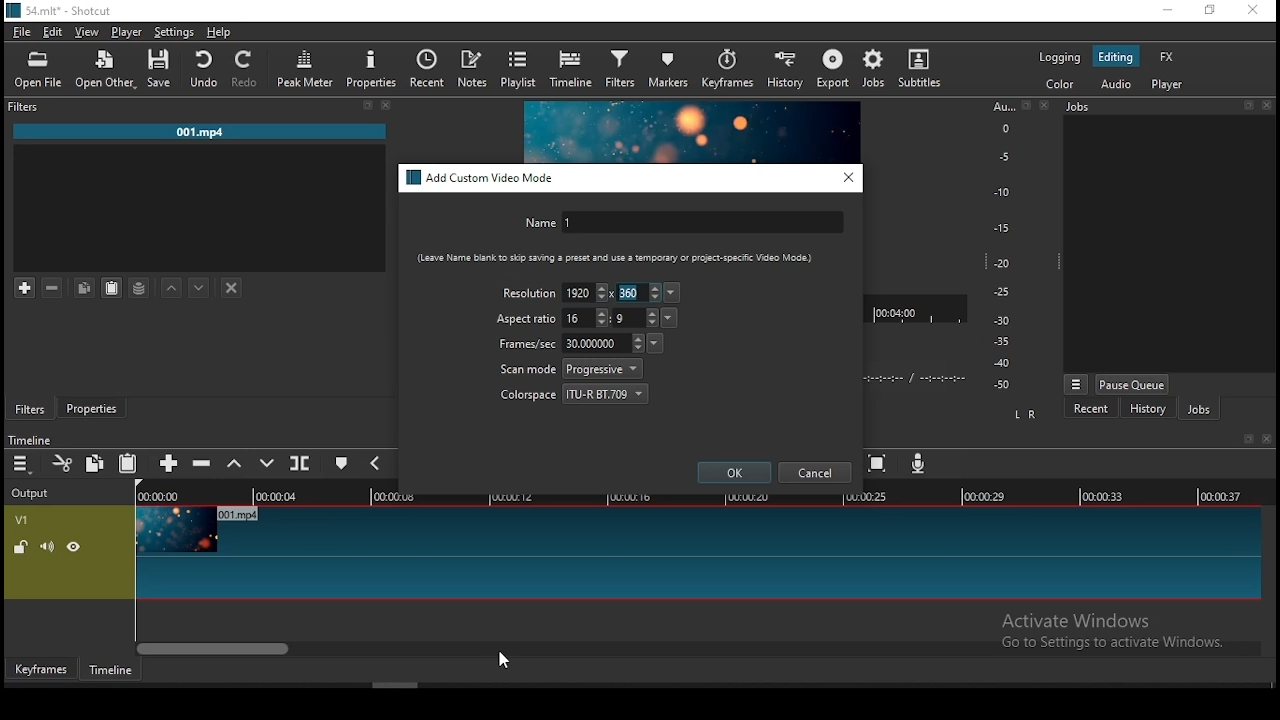 The height and width of the screenshot is (720, 1280). What do you see at coordinates (987, 496) in the screenshot?
I see `00:00:29` at bounding box center [987, 496].